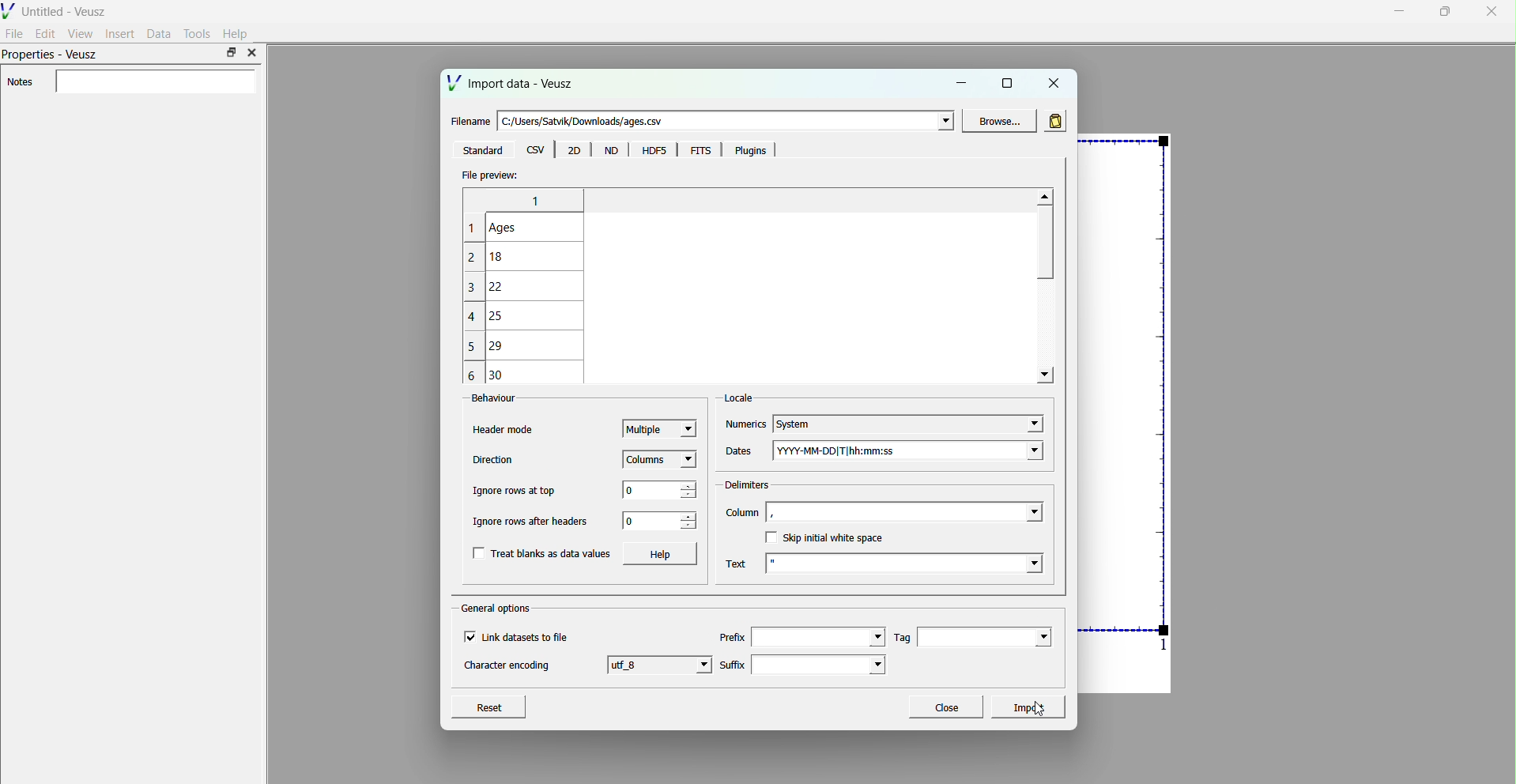 The width and height of the screenshot is (1516, 784). Describe the element at coordinates (467, 122) in the screenshot. I see `Filename` at that location.